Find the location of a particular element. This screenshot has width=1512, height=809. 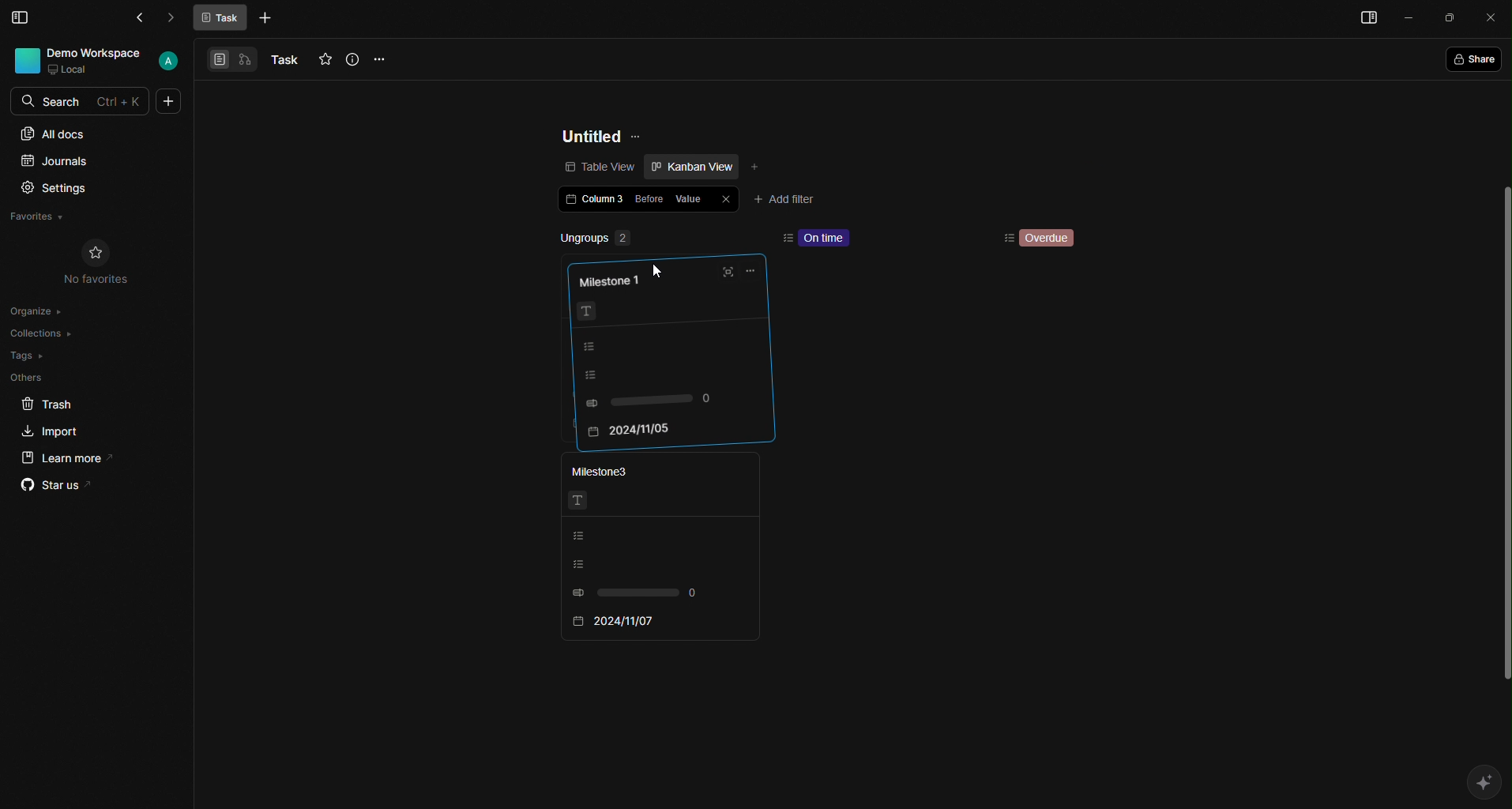

Others is located at coordinates (27, 379).